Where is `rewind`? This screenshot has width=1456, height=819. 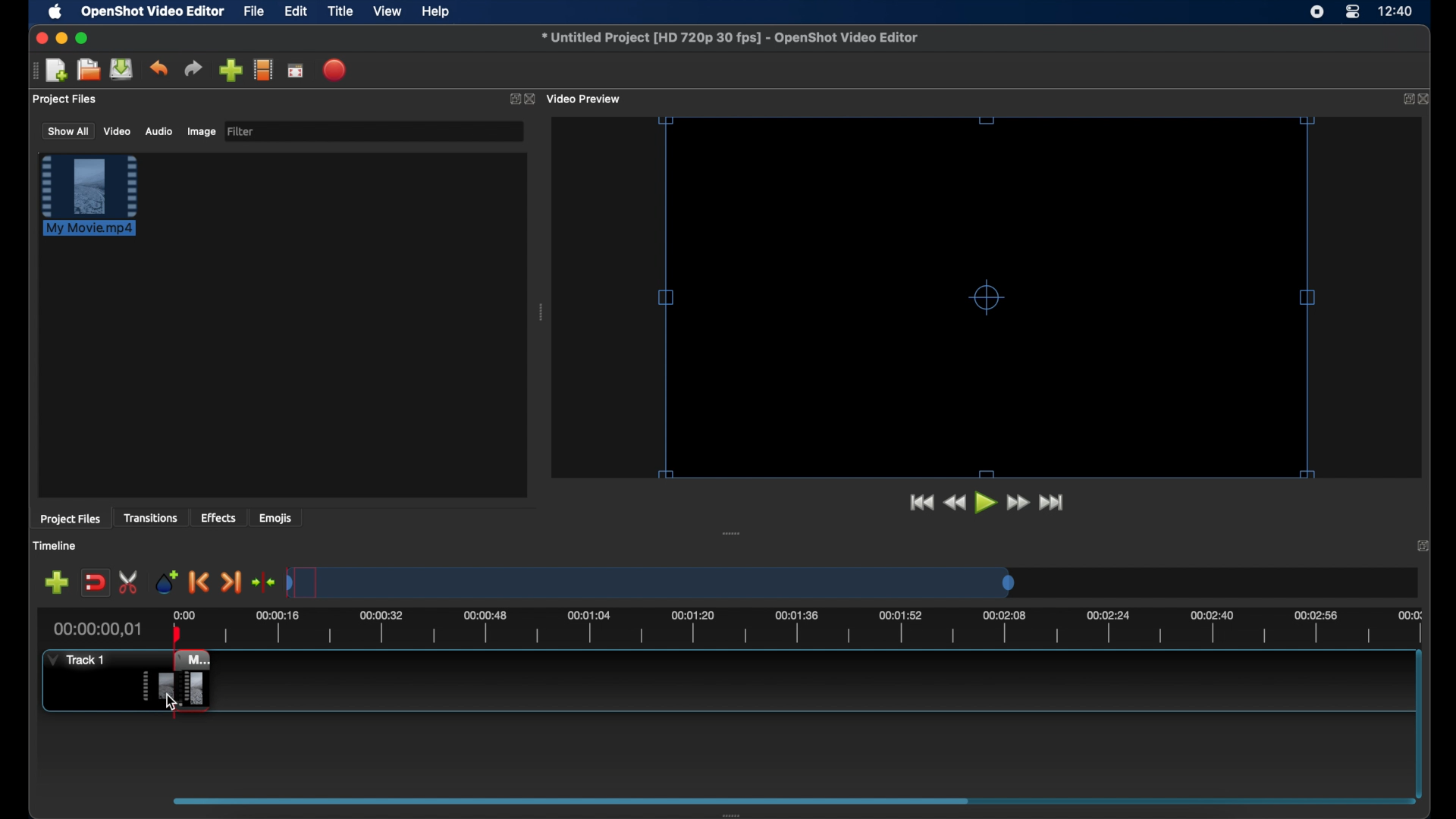 rewind is located at coordinates (955, 503).